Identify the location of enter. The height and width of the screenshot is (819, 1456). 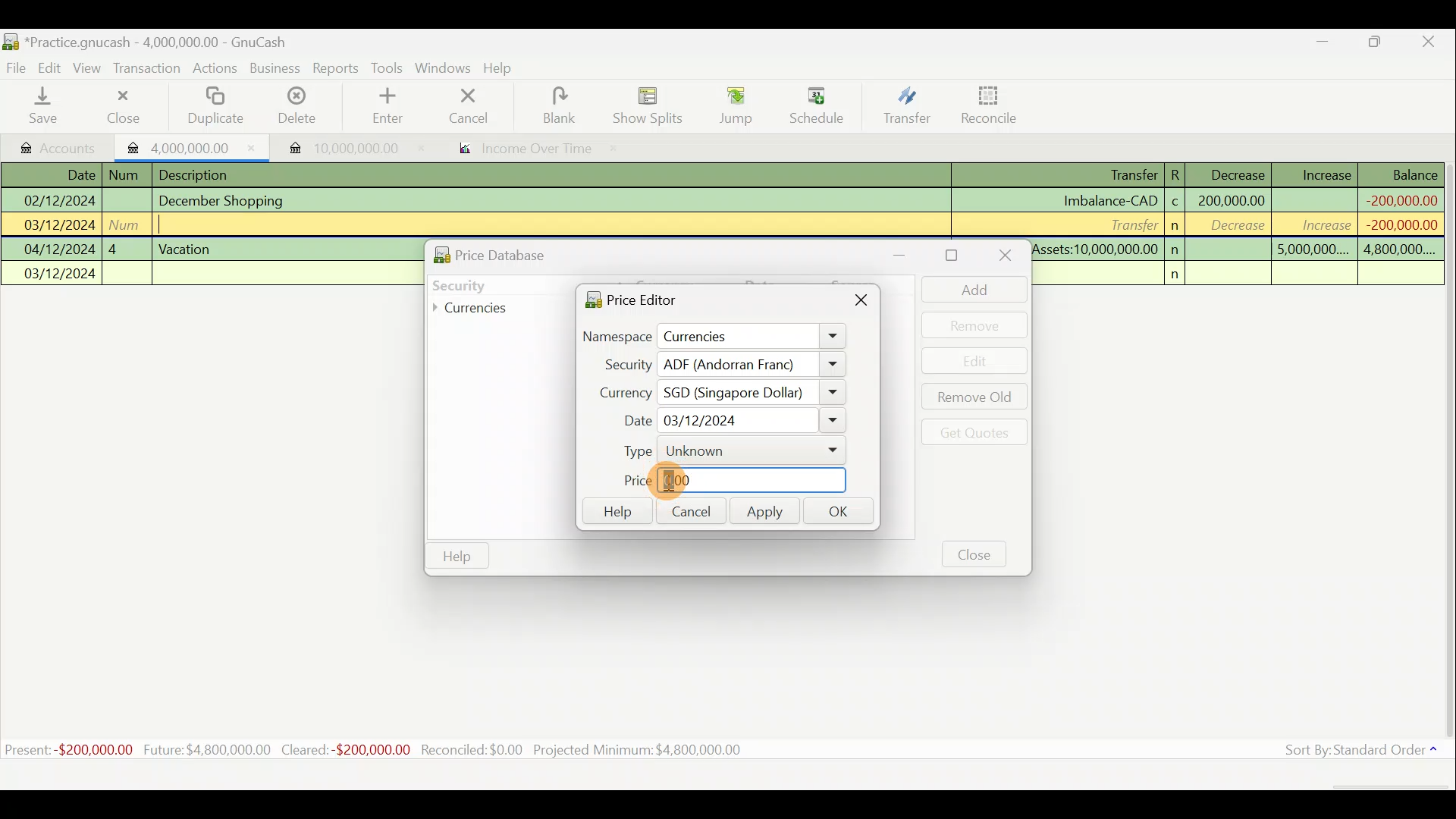
(393, 107).